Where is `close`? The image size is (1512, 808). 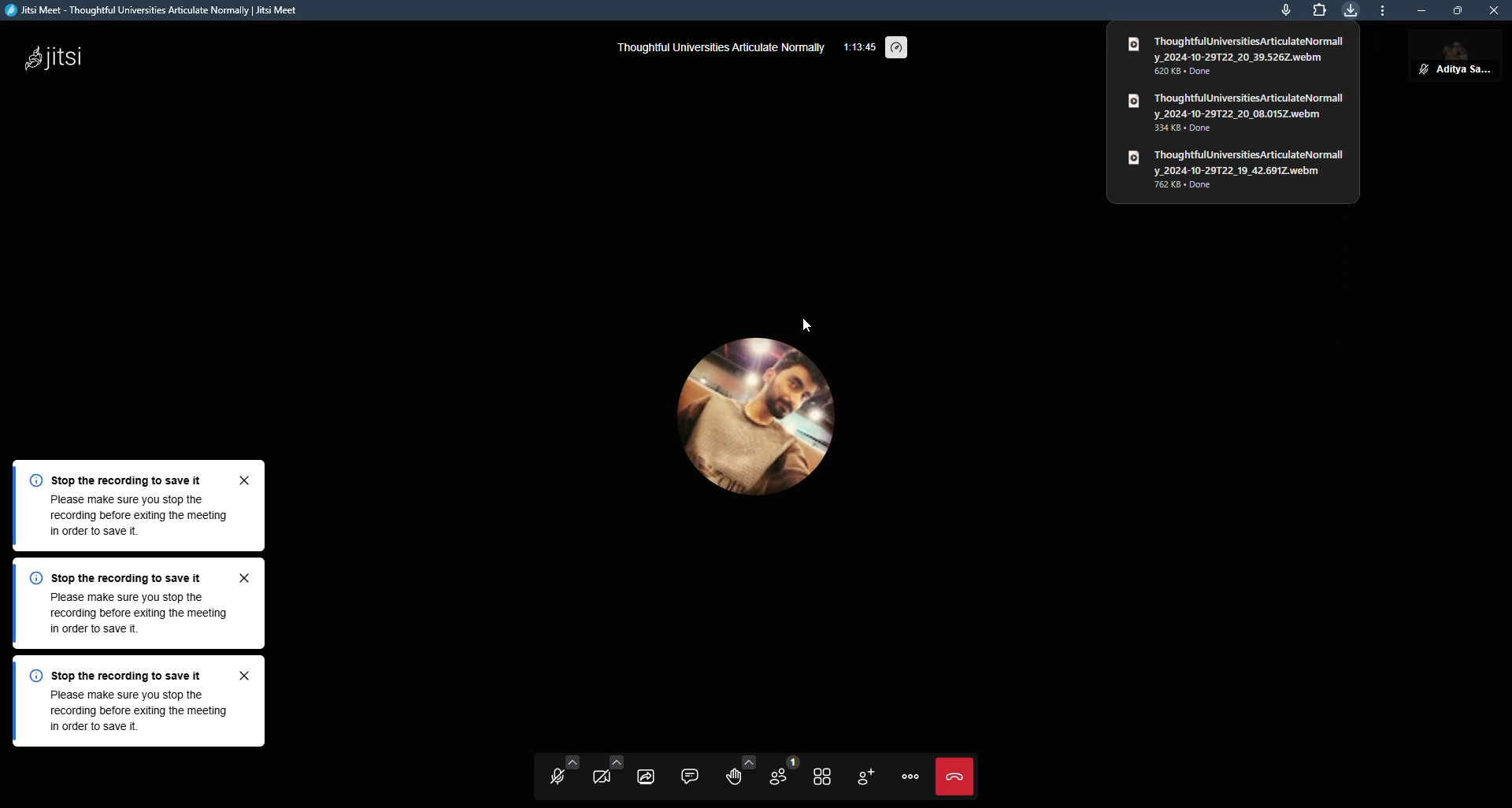
close is located at coordinates (246, 676).